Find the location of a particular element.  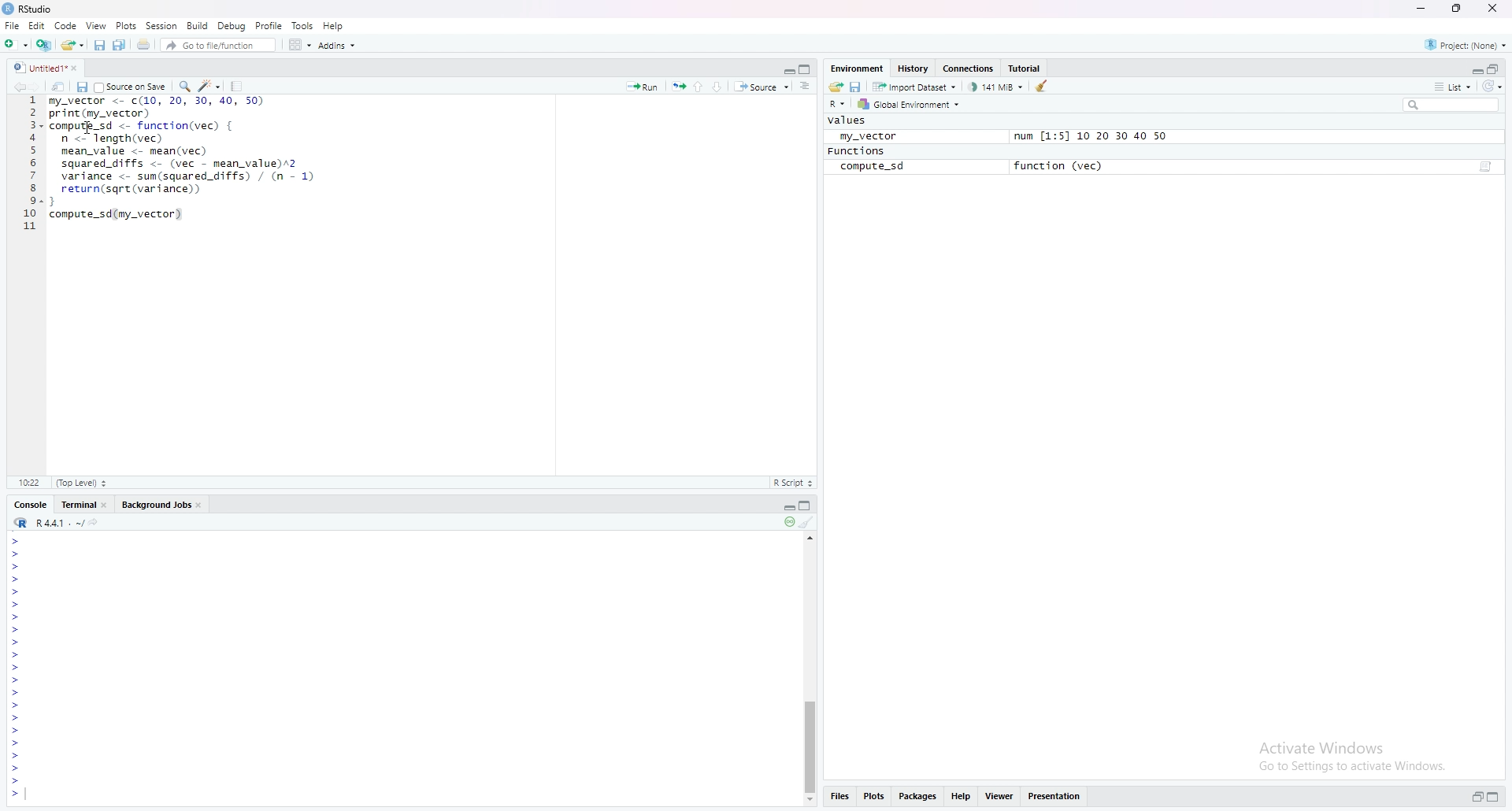

Prompt cursor is located at coordinates (16, 756).